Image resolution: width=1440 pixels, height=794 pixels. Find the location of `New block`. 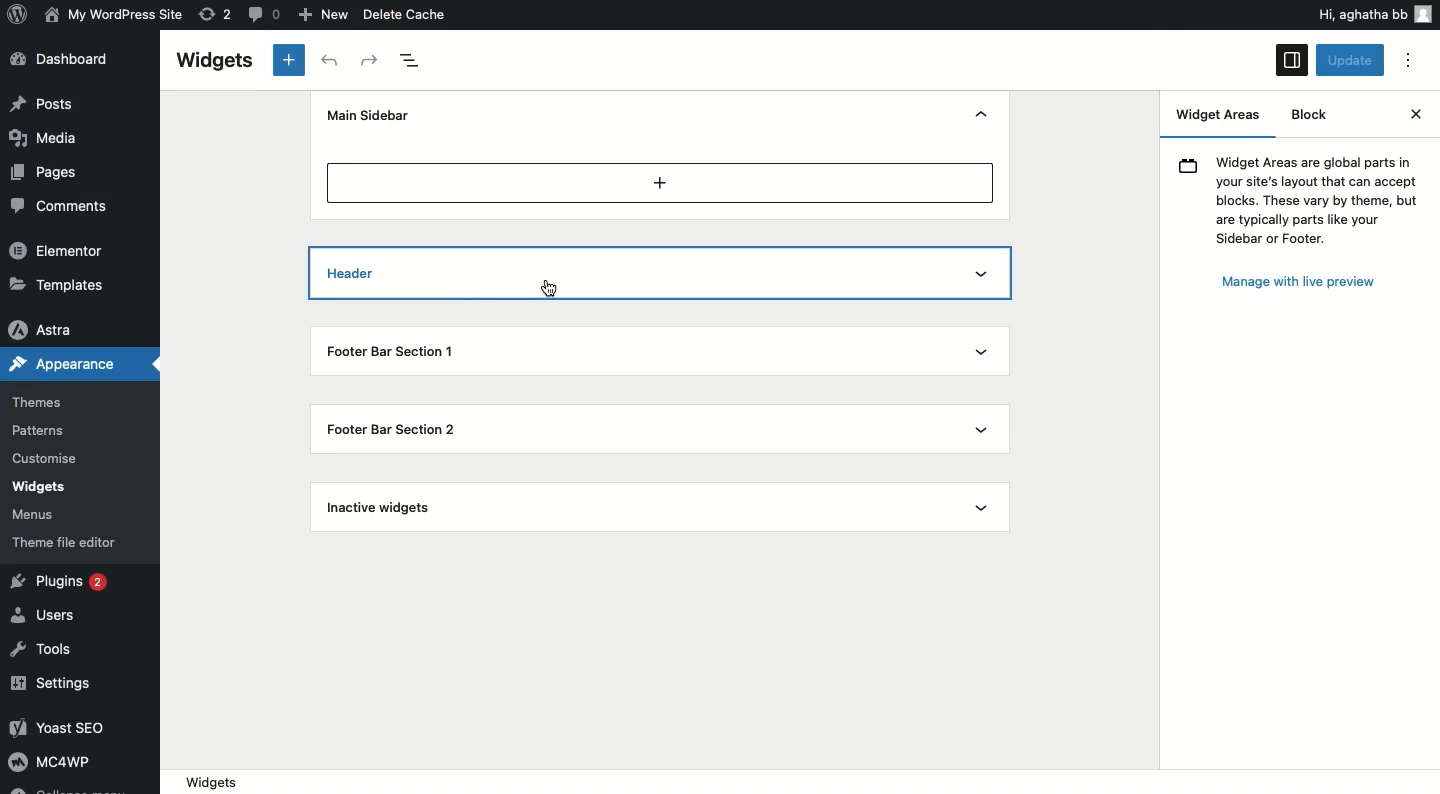

New block is located at coordinates (290, 60).